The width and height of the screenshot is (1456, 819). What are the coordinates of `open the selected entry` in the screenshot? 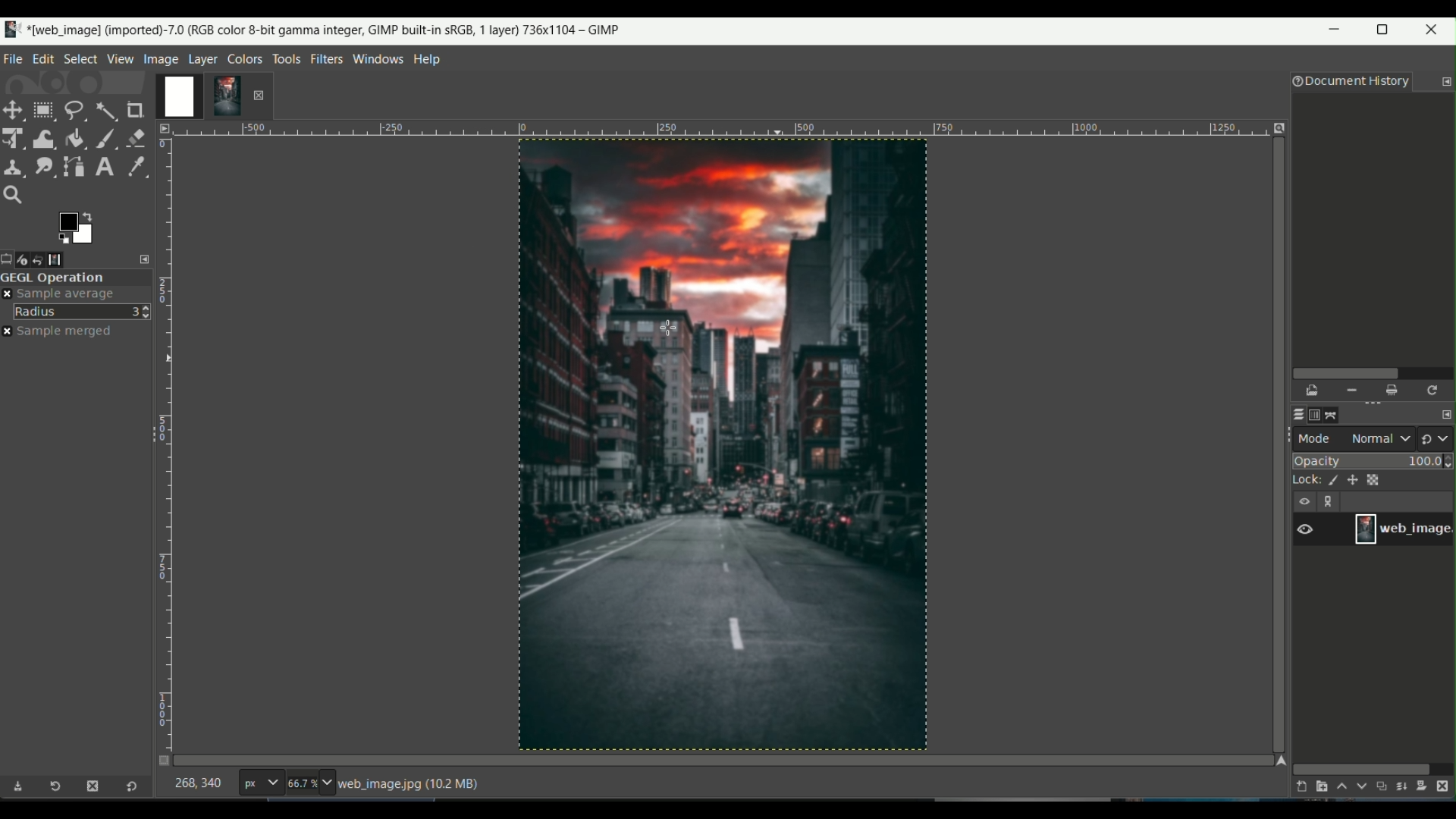 It's located at (1313, 391).